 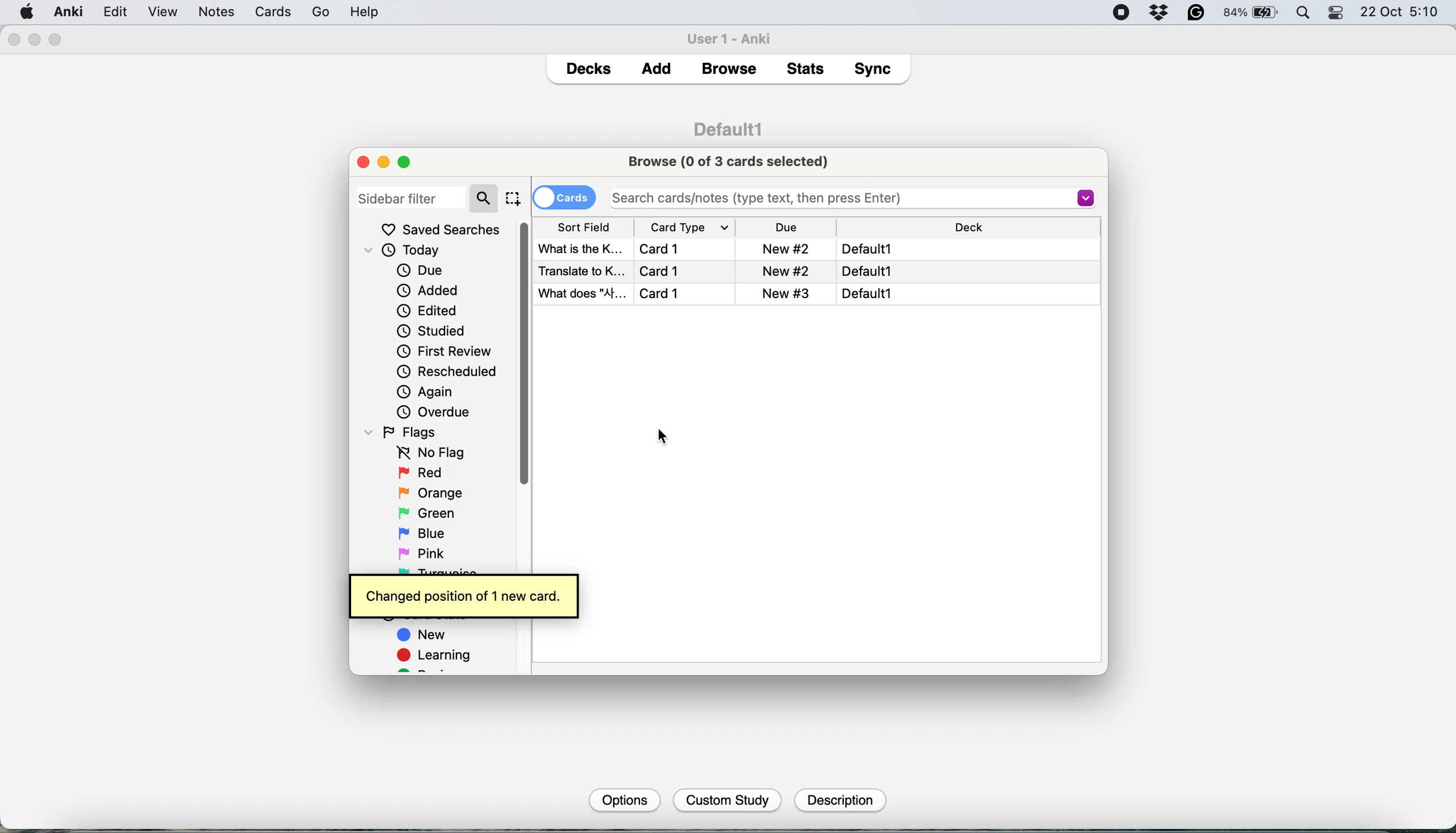 I want to click on stats, so click(x=809, y=68).